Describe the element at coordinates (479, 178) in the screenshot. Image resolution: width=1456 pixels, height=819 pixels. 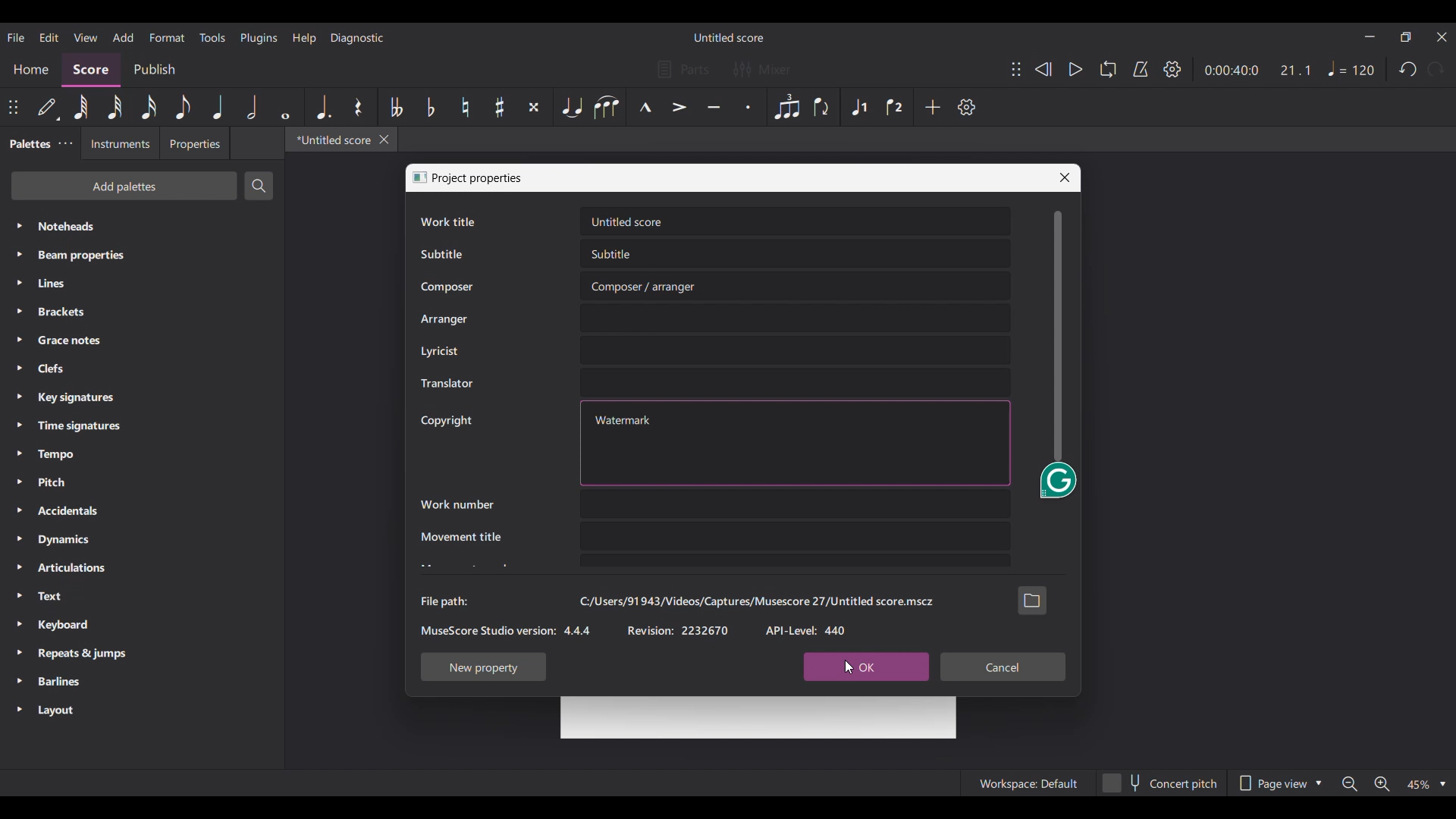
I see `Project properties` at that location.